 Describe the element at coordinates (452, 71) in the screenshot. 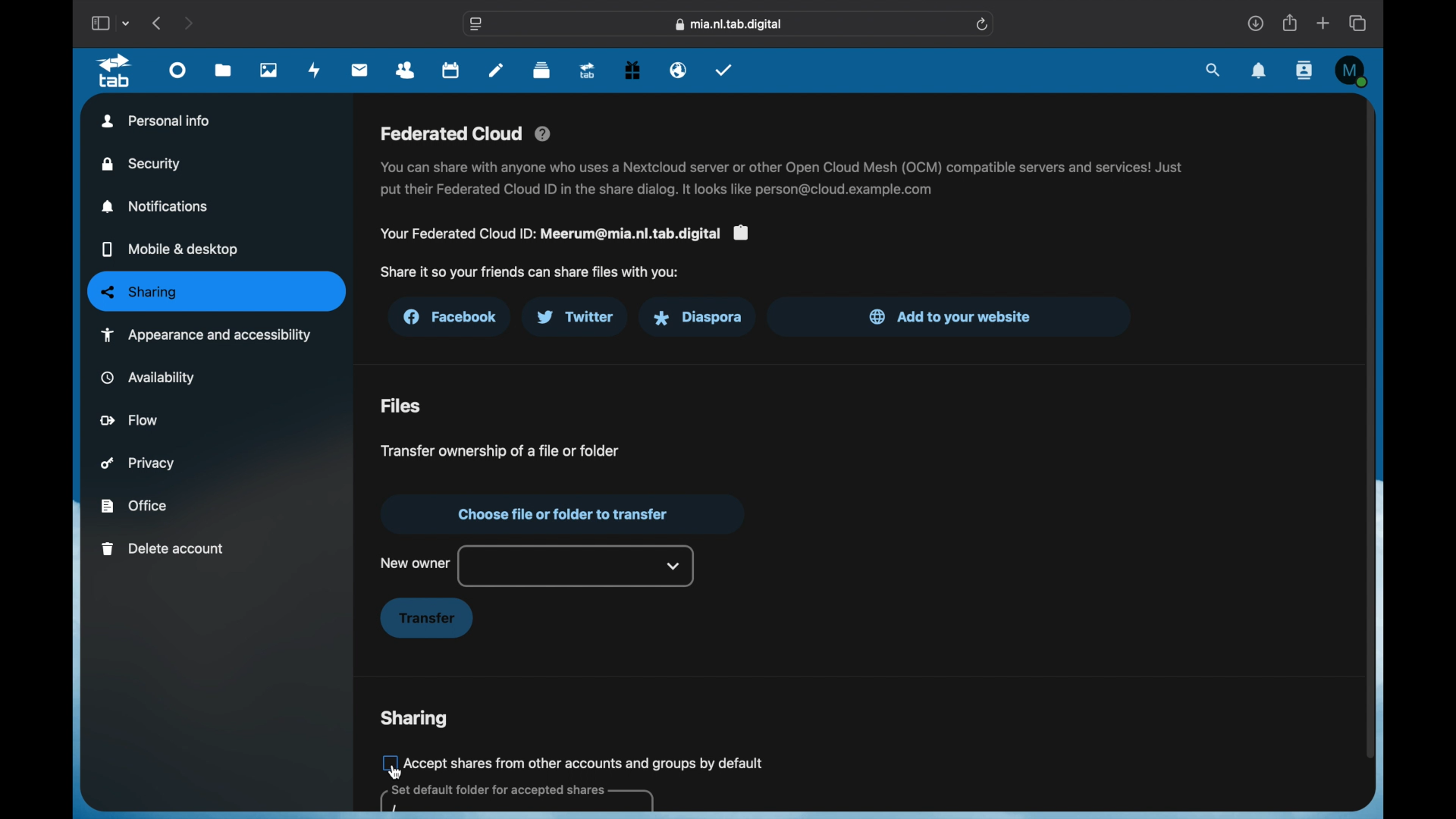

I see `calendar` at that location.